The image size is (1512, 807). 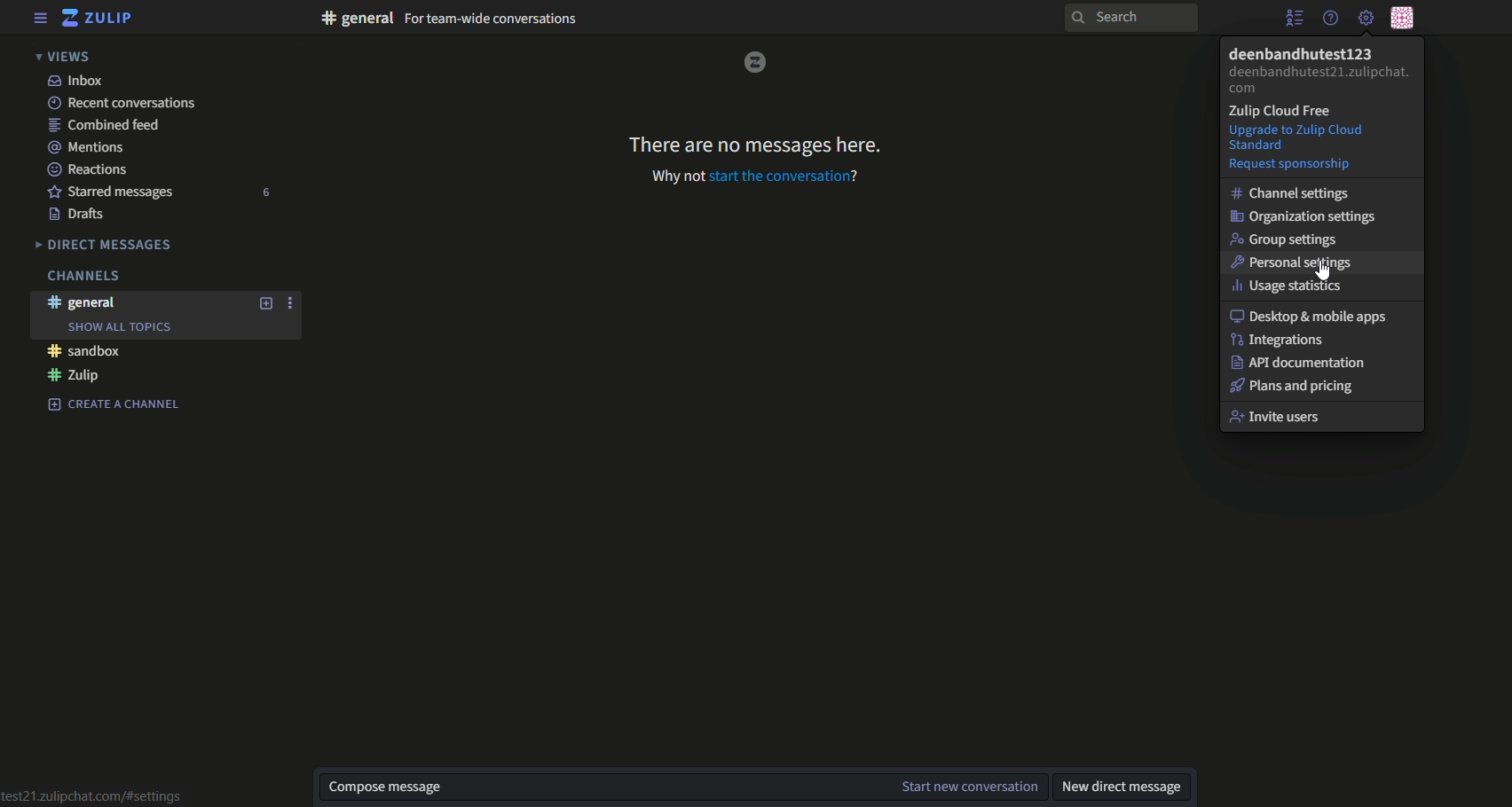 I want to click on Channel settings, so click(x=1293, y=192).